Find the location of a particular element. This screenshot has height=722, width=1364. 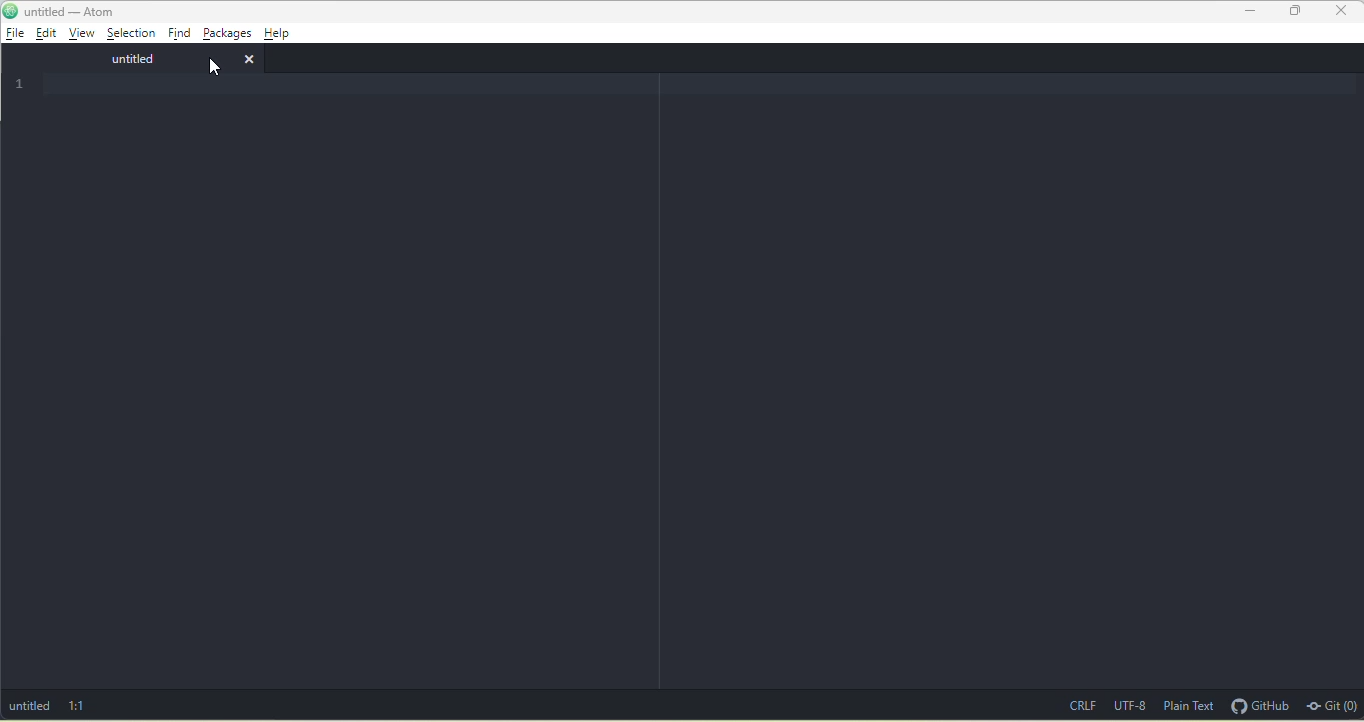

view is located at coordinates (84, 35).